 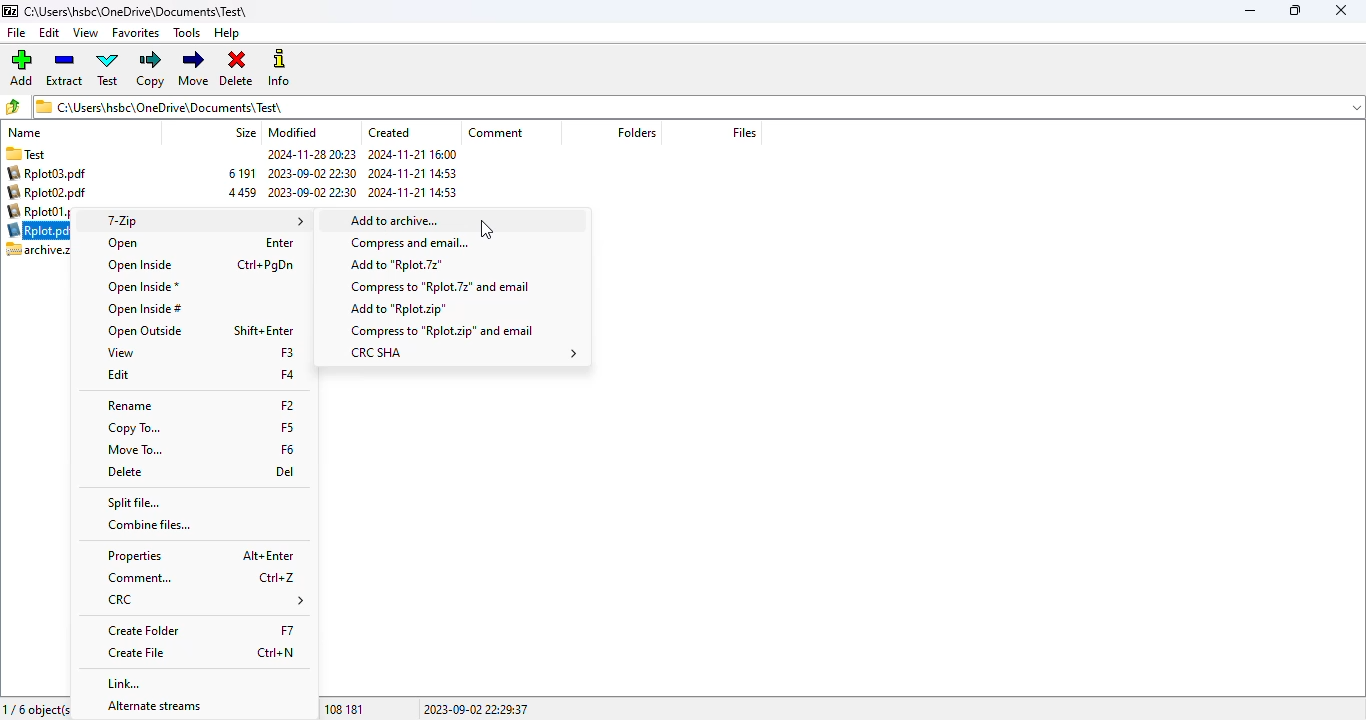 What do you see at coordinates (494, 132) in the screenshot?
I see `comment` at bounding box center [494, 132].